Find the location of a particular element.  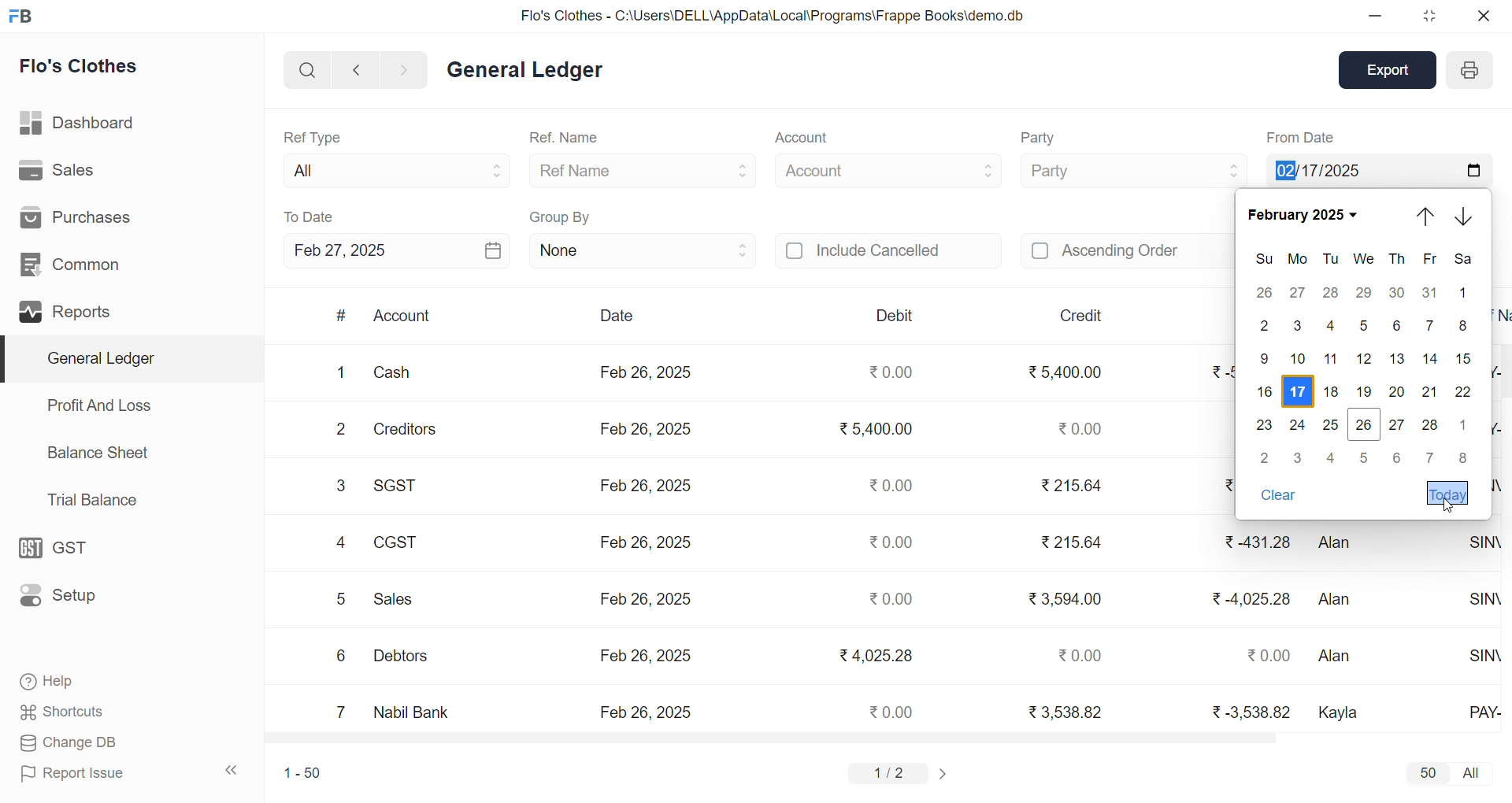

4 is located at coordinates (1333, 457).